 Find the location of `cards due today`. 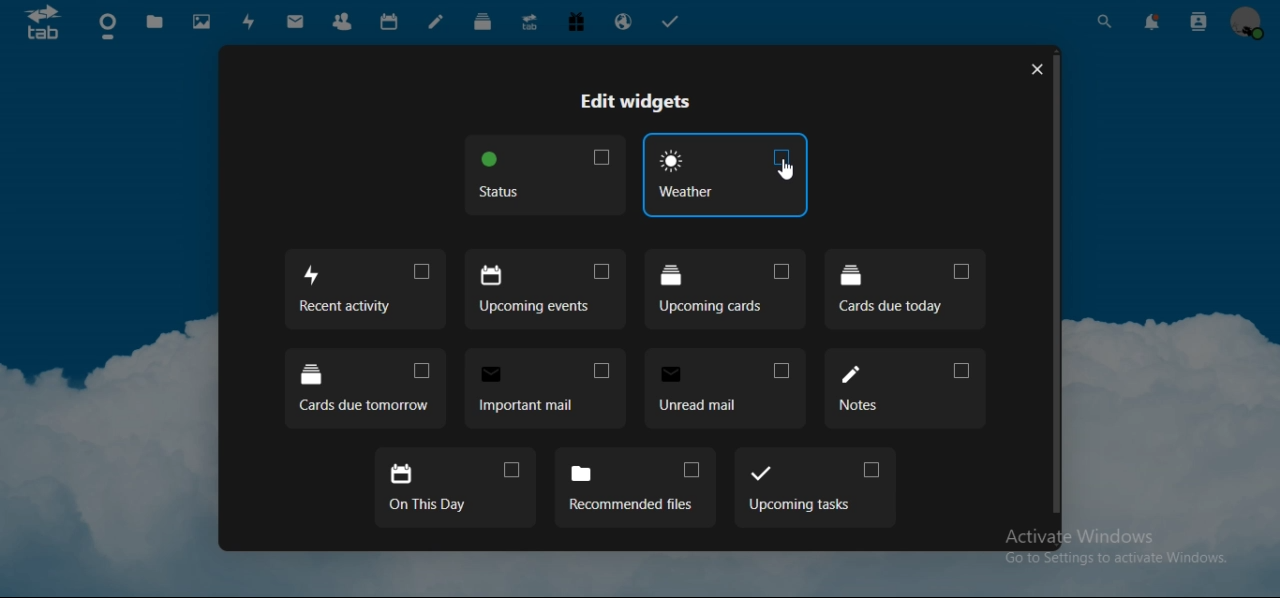

cards due today is located at coordinates (904, 289).